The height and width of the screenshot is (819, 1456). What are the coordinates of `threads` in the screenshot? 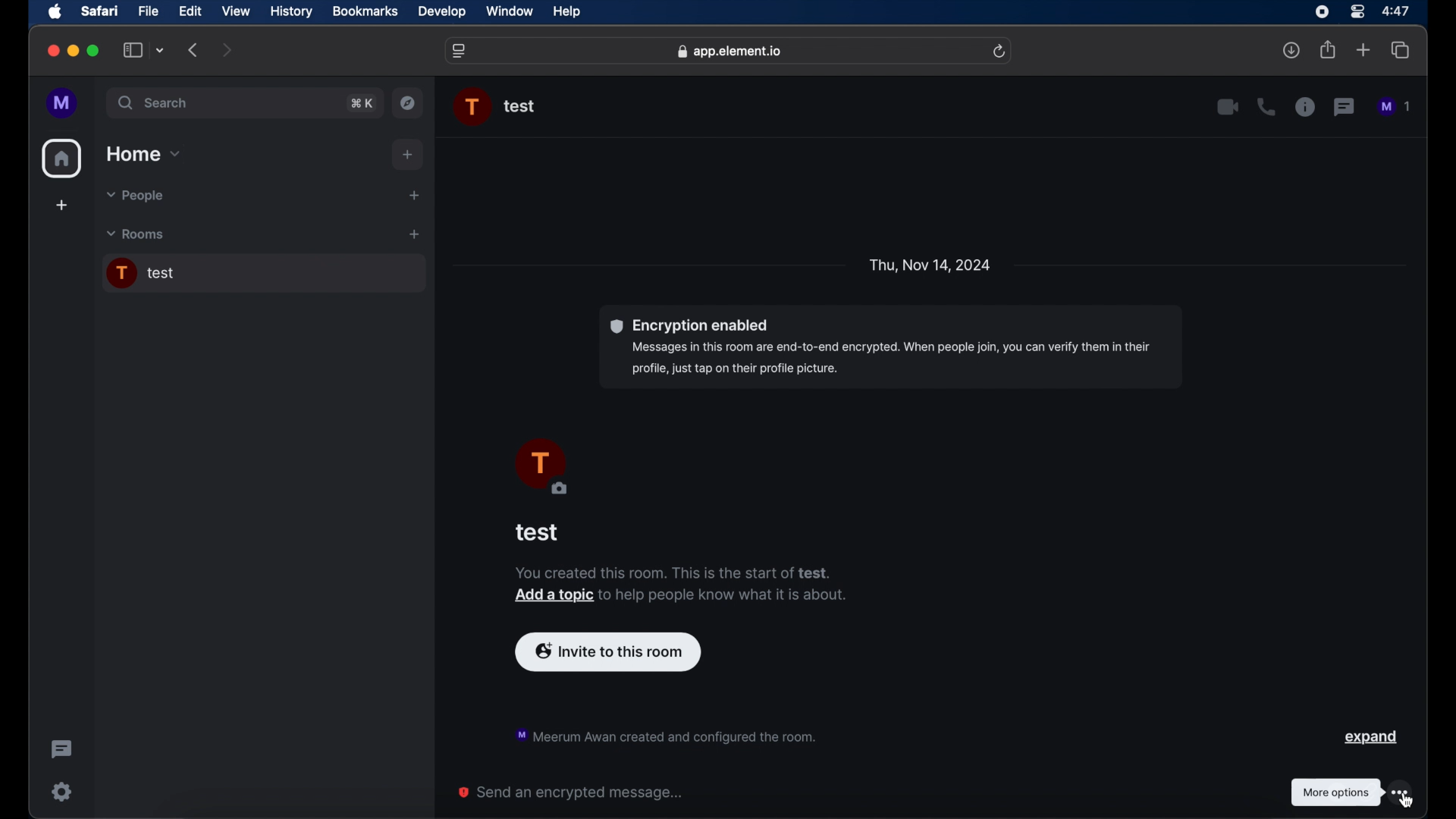 It's located at (1345, 107).